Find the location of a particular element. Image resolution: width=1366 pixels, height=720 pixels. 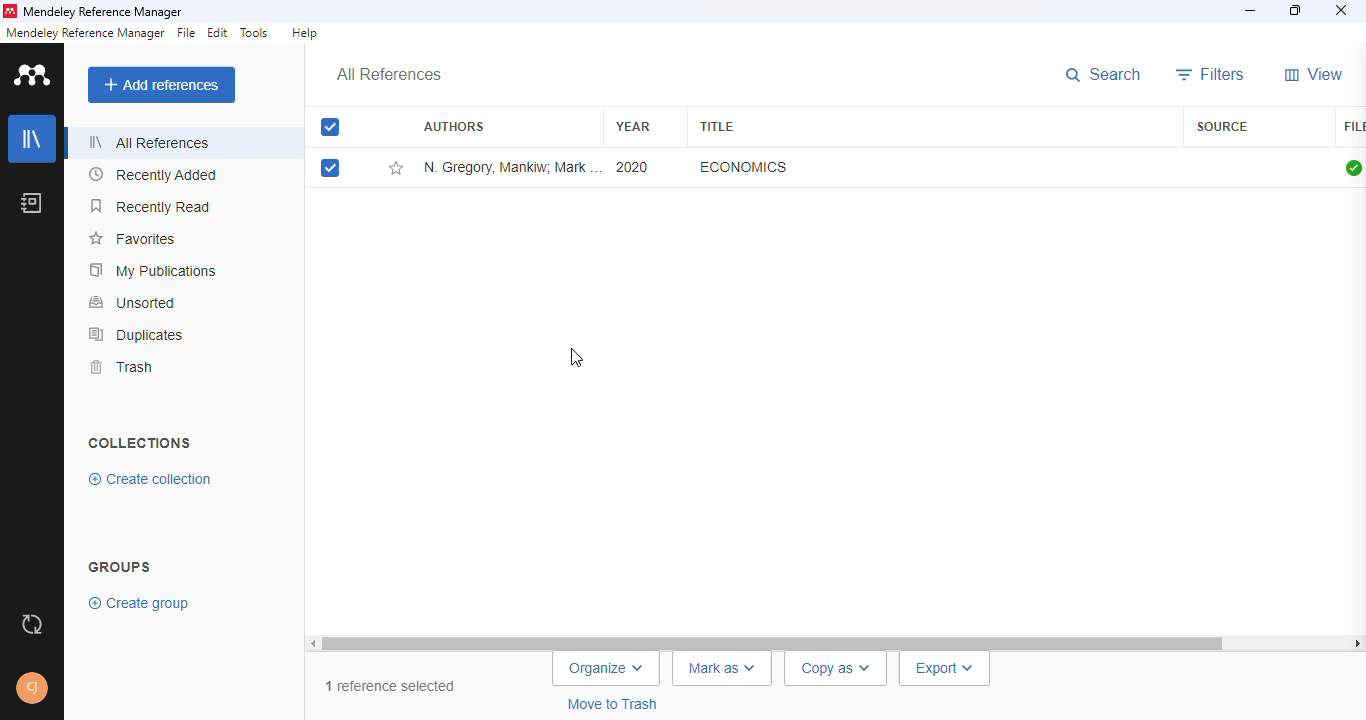

add this reference to favorites is located at coordinates (396, 169).